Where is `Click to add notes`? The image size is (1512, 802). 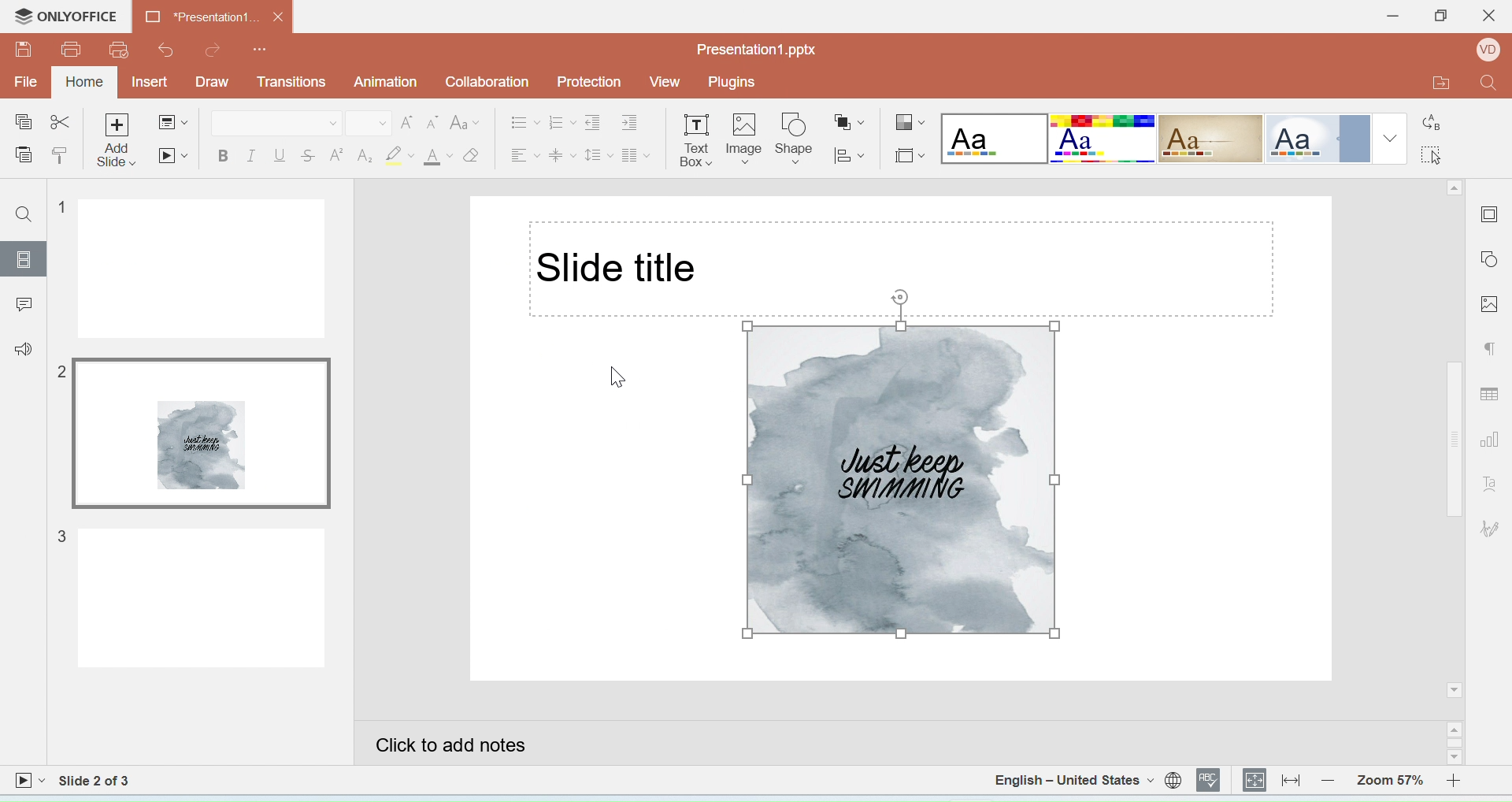 Click to add notes is located at coordinates (900, 743).